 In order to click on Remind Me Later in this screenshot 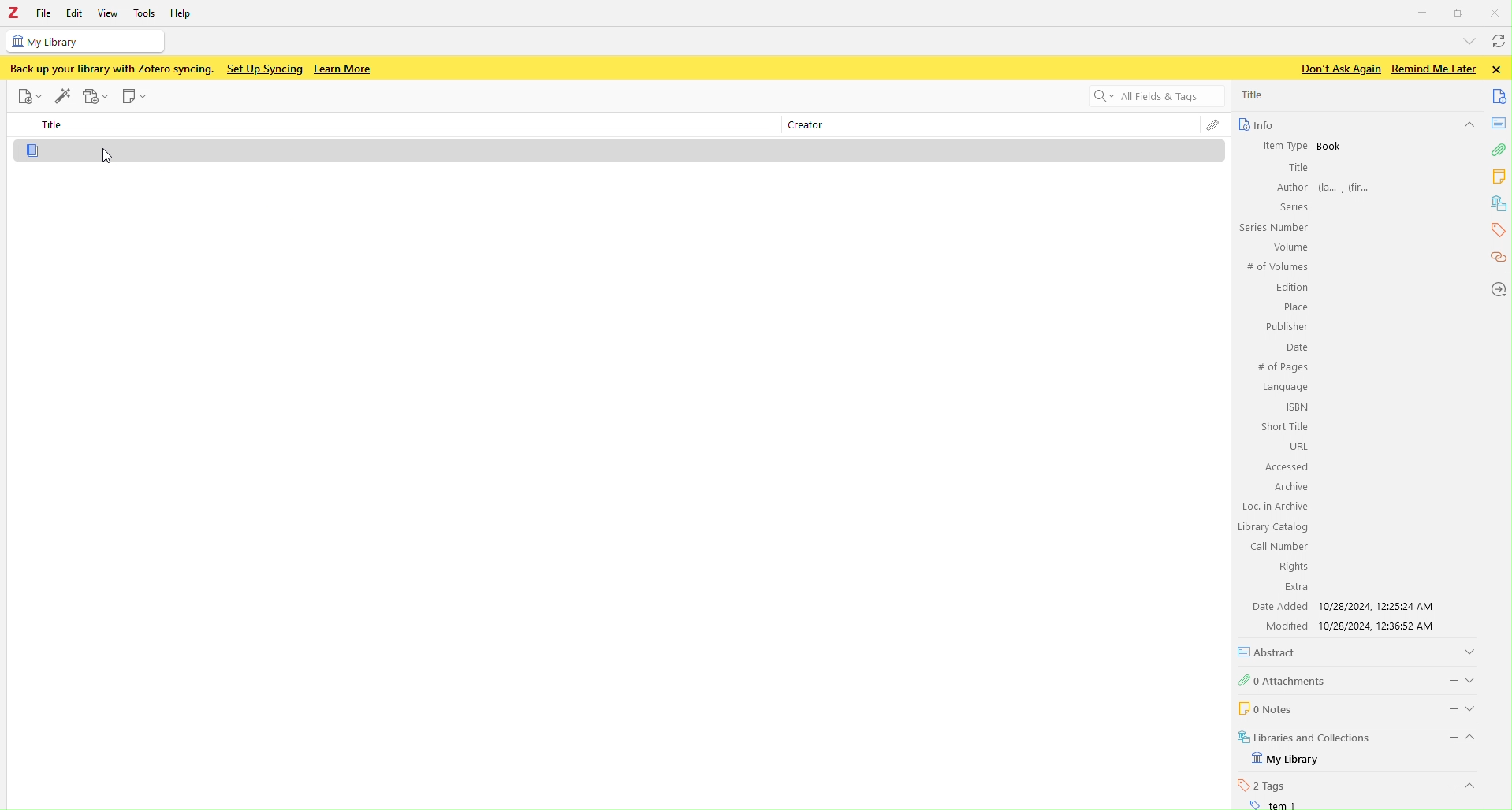, I will do `click(1433, 69)`.